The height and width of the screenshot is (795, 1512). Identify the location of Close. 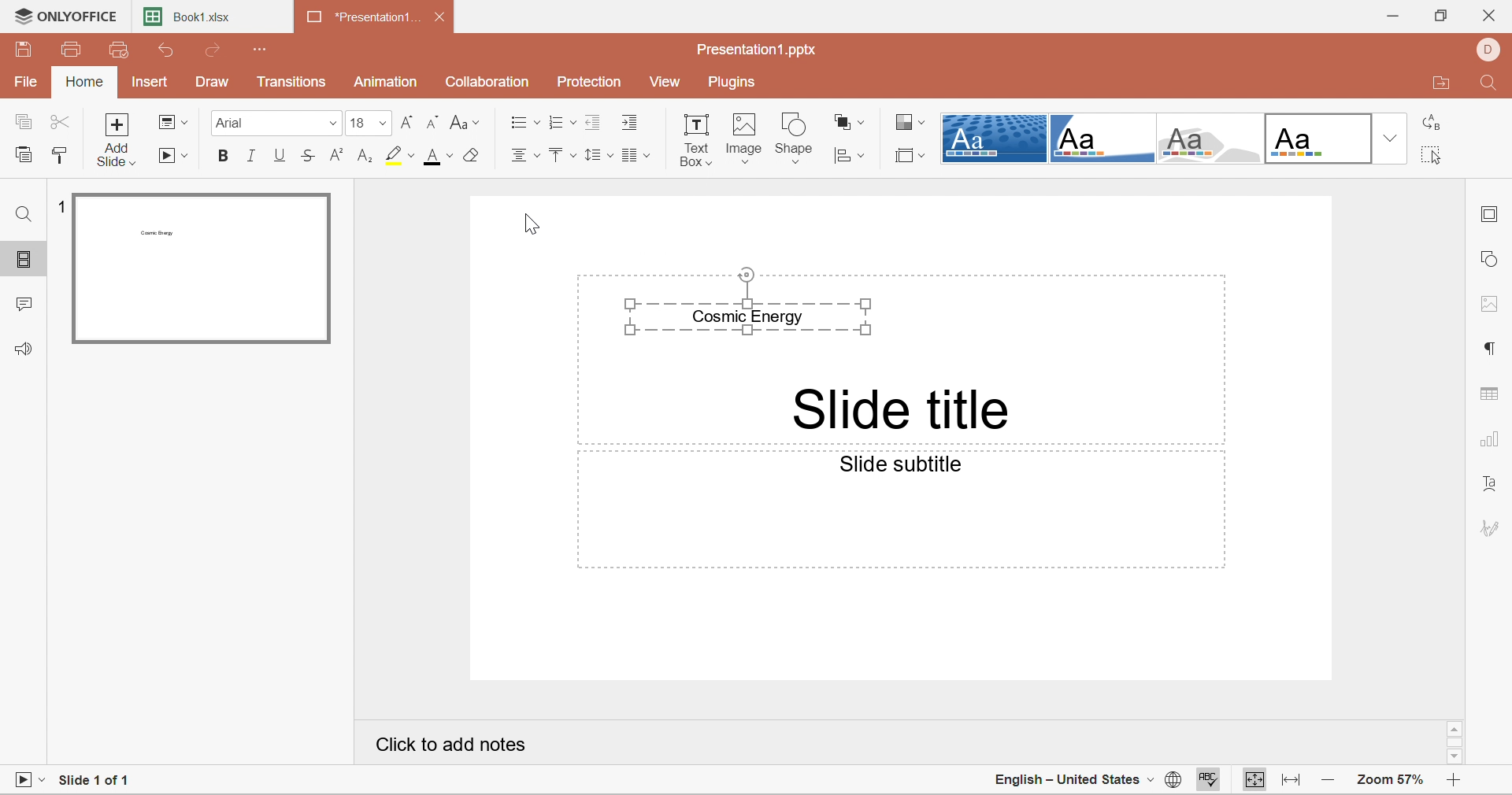
(1494, 14).